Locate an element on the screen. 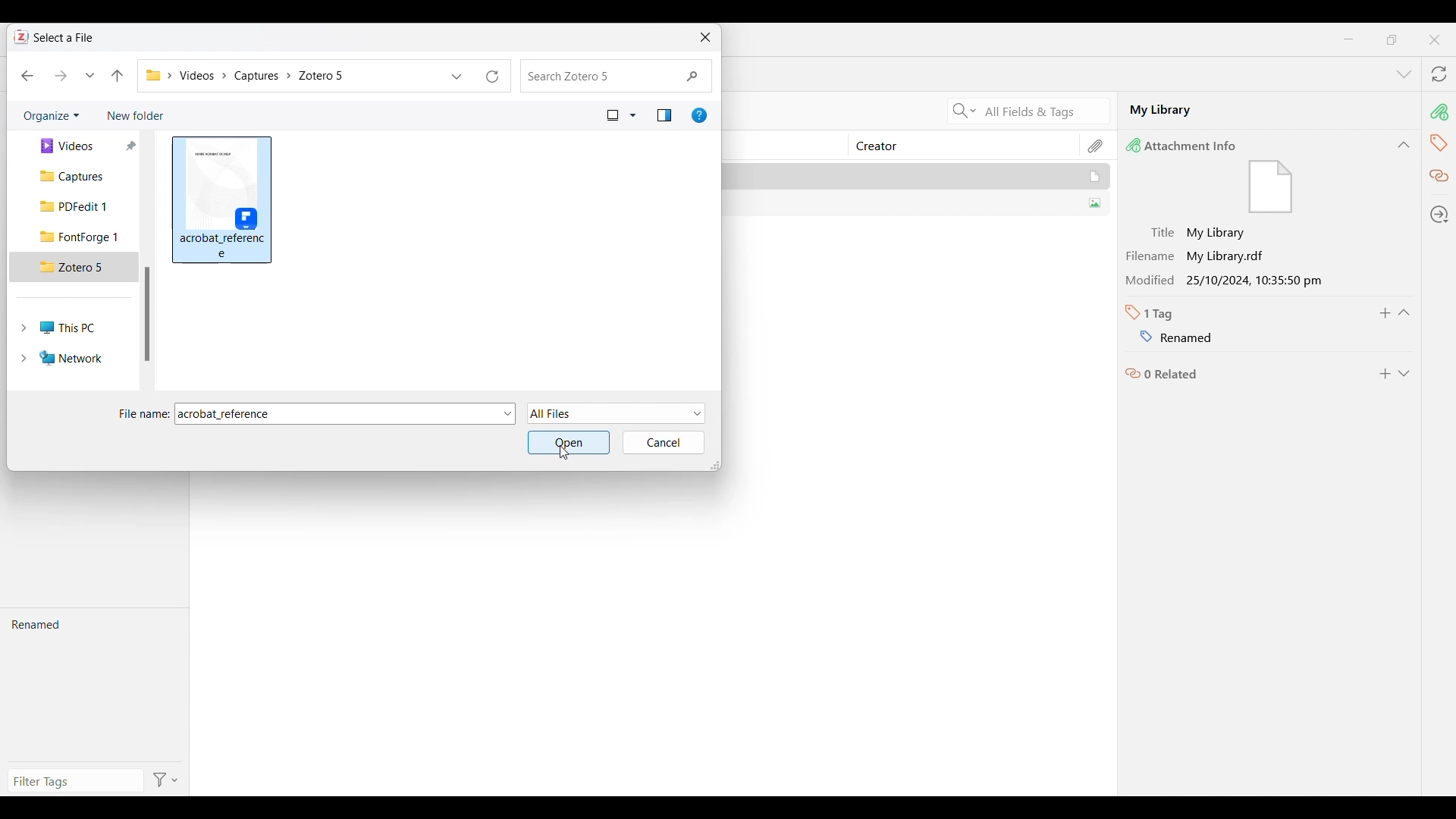 The height and width of the screenshot is (819, 1456). Select a File is located at coordinates (64, 37).